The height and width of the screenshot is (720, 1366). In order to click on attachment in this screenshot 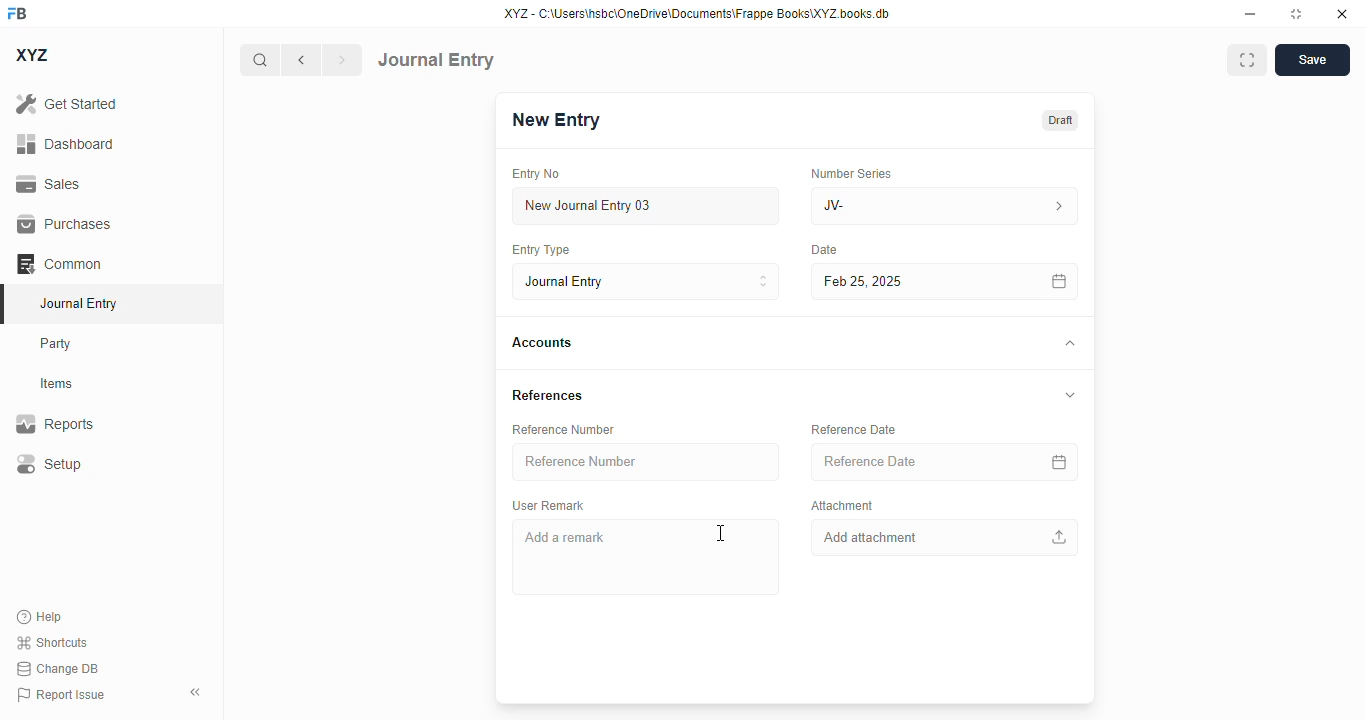, I will do `click(841, 506)`.